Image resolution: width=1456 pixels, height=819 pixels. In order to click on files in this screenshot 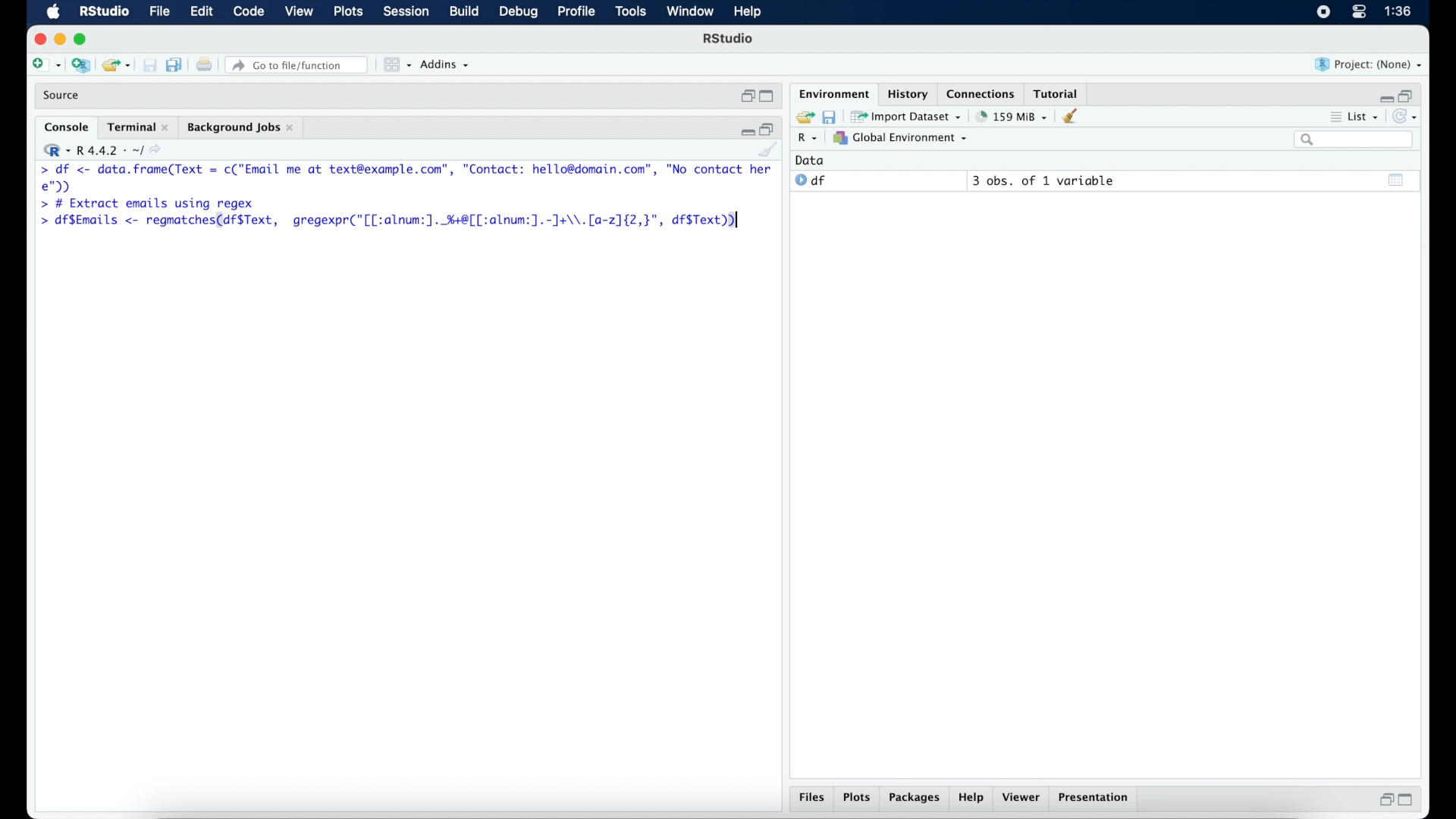, I will do `click(810, 797)`.